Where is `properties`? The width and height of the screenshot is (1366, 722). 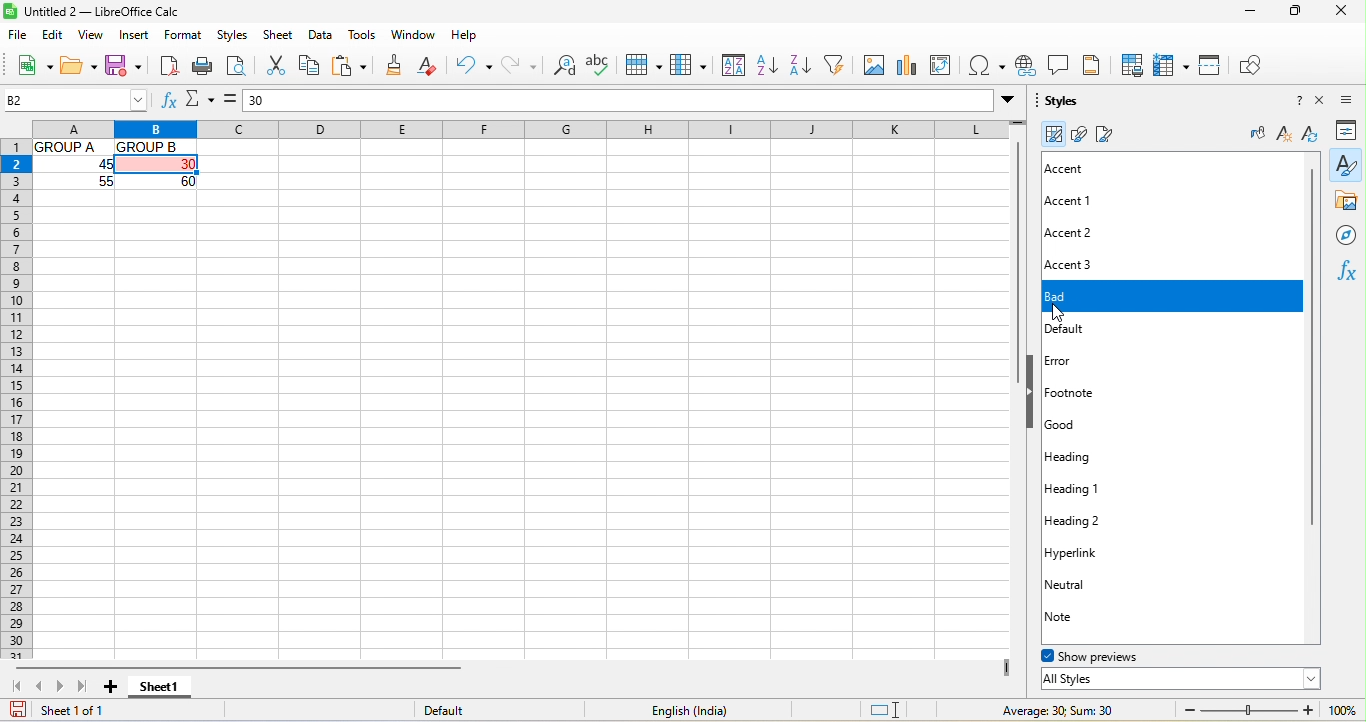
properties is located at coordinates (1350, 130).